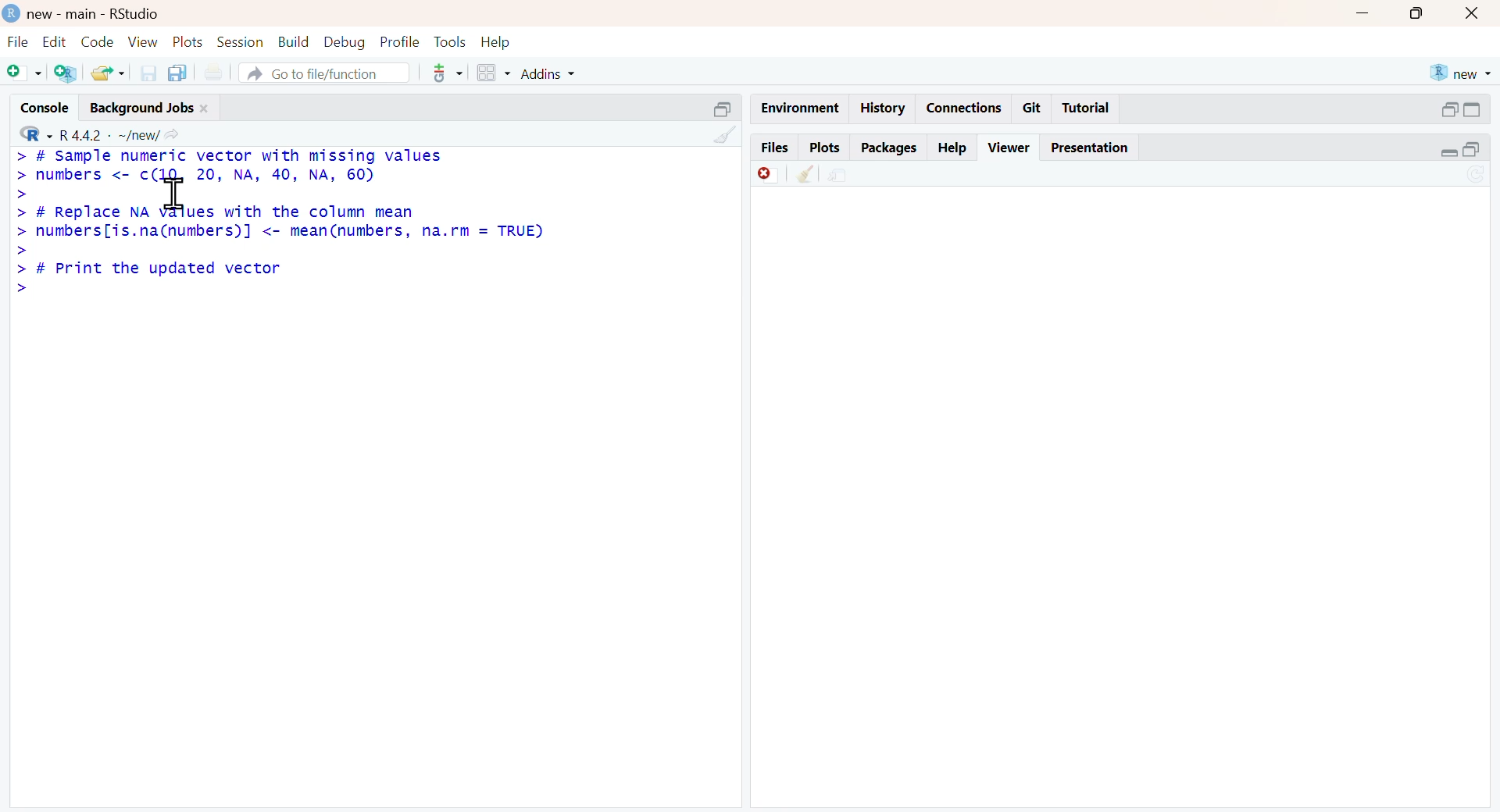  What do you see at coordinates (295, 41) in the screenshot?
I see `build` at bounding box center [295, 41].